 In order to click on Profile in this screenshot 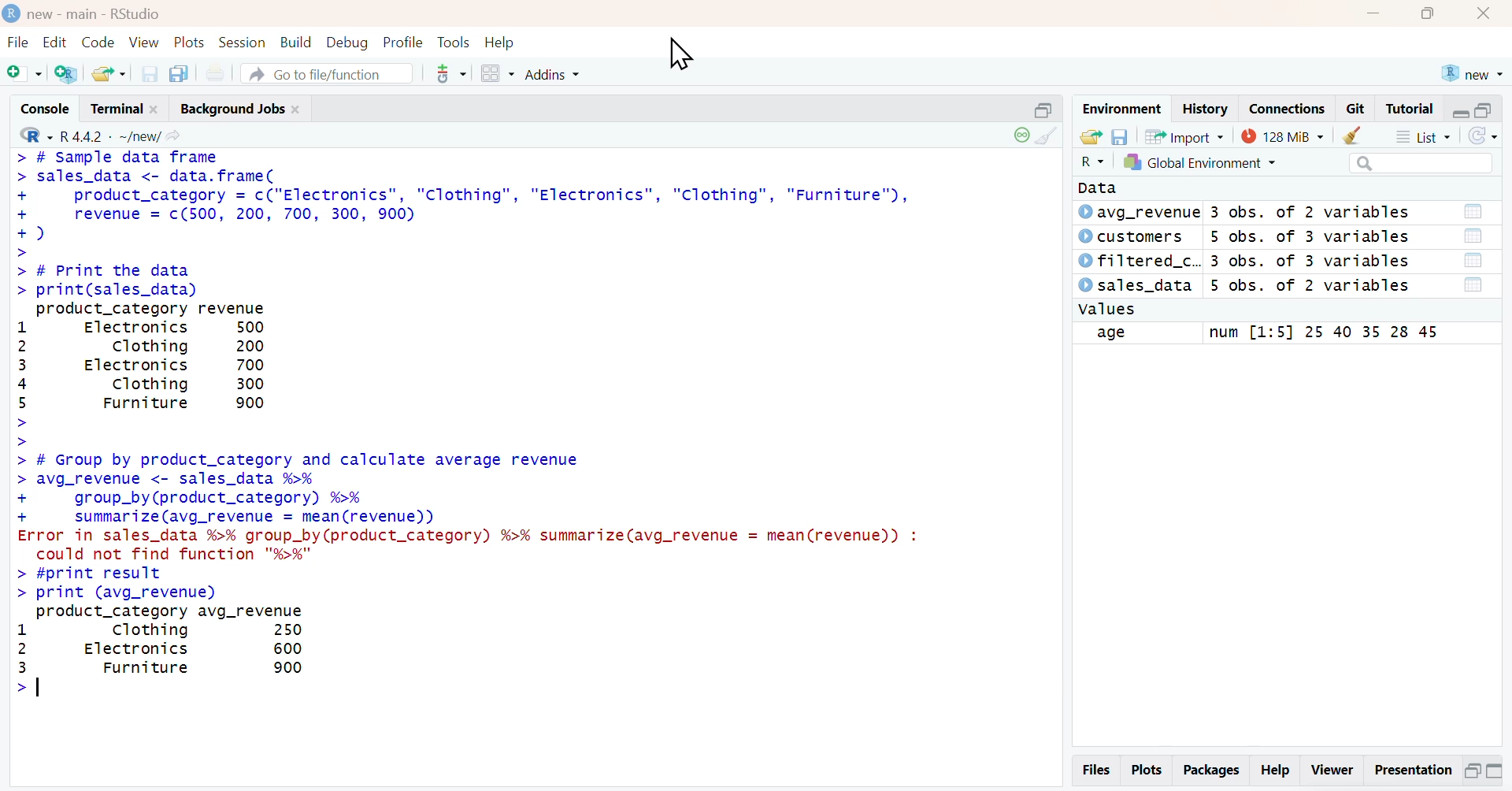, I will do `click(403, 42)`.